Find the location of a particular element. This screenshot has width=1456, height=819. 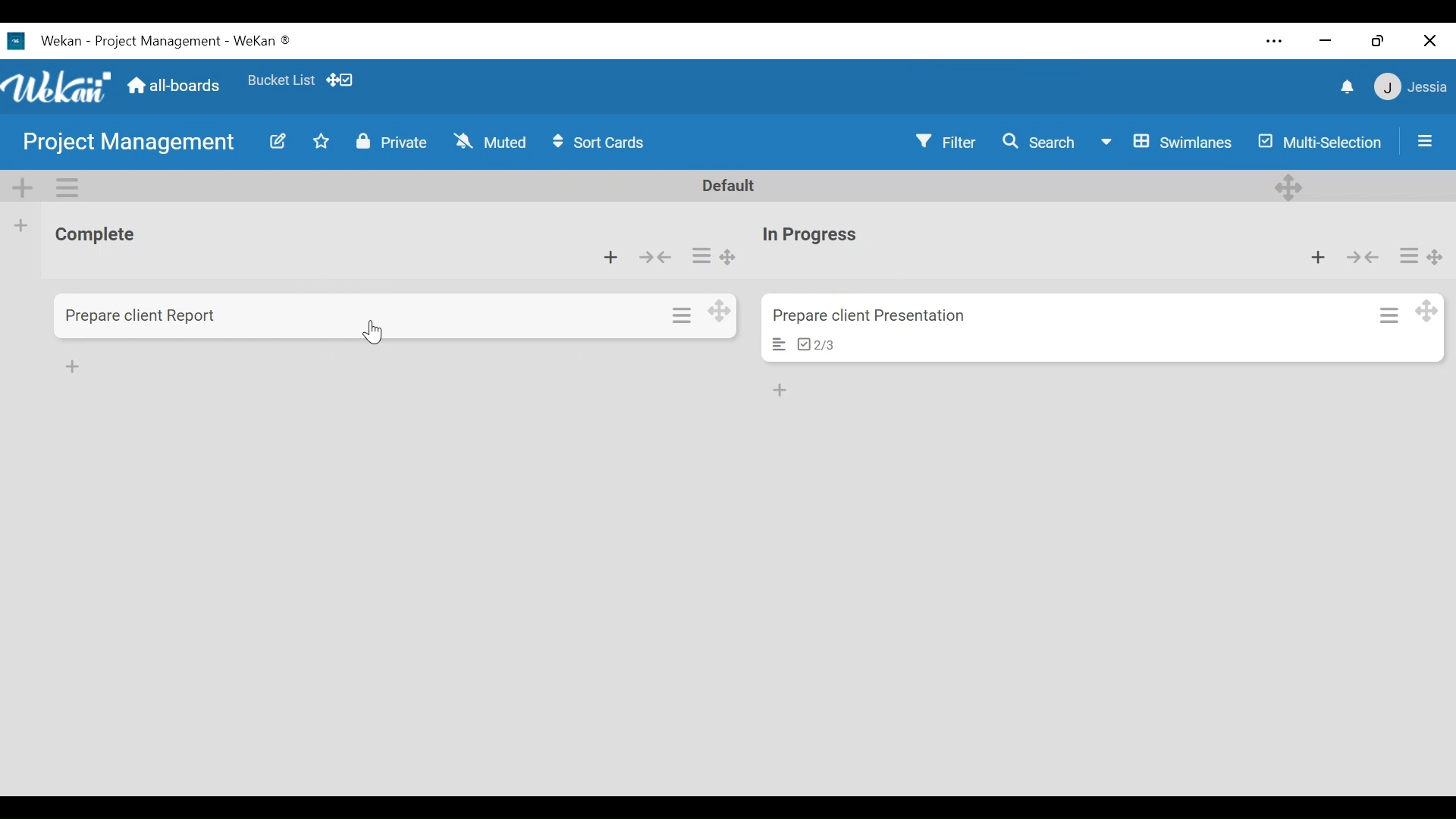

Desktop drag handles is located at coordinates (718, 311).